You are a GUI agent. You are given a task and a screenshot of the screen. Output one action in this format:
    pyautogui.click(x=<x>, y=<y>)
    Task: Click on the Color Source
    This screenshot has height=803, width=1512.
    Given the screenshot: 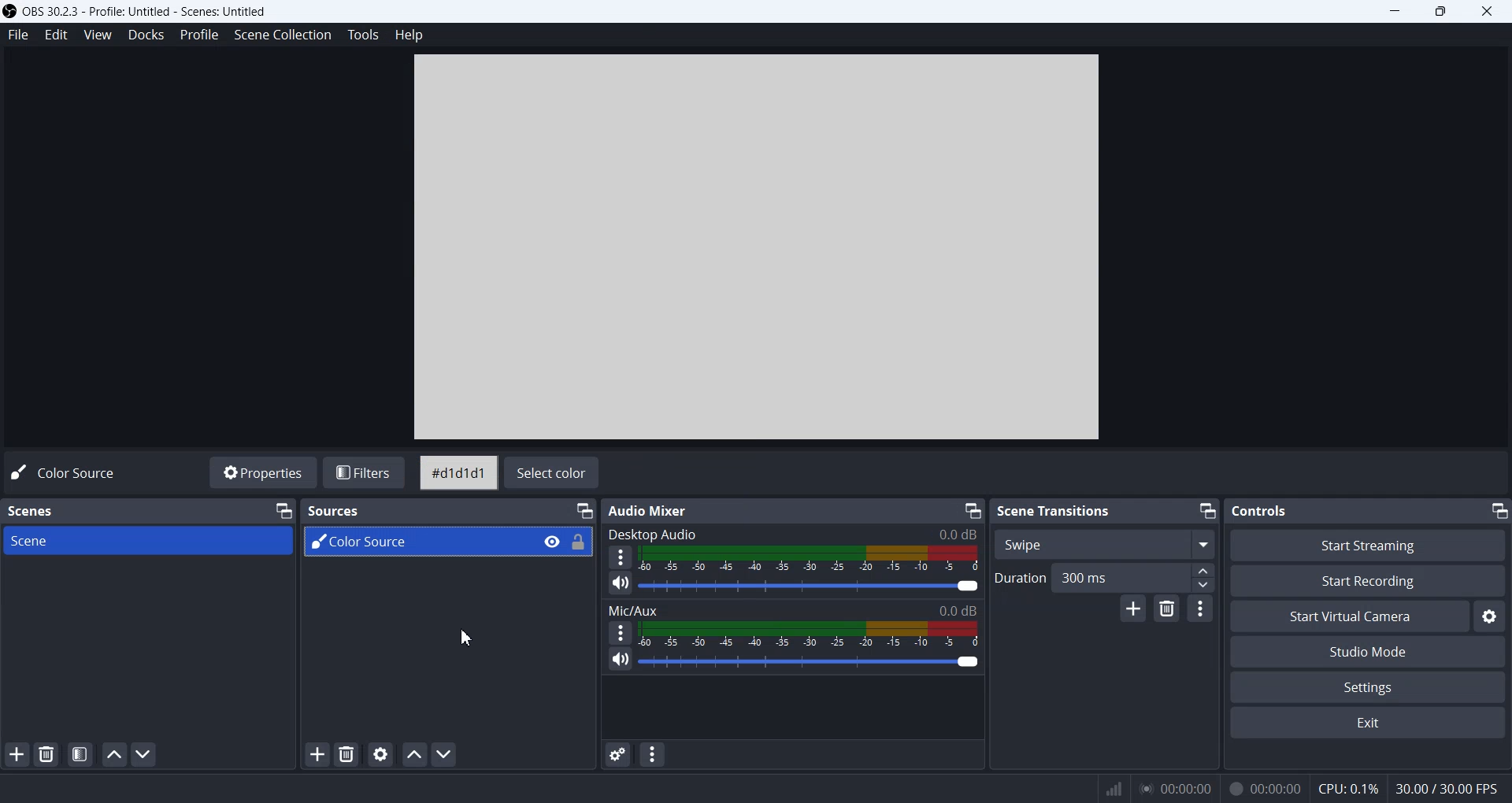 What is the action you would take?
    pyautogui.click(x=415, y=542)
    